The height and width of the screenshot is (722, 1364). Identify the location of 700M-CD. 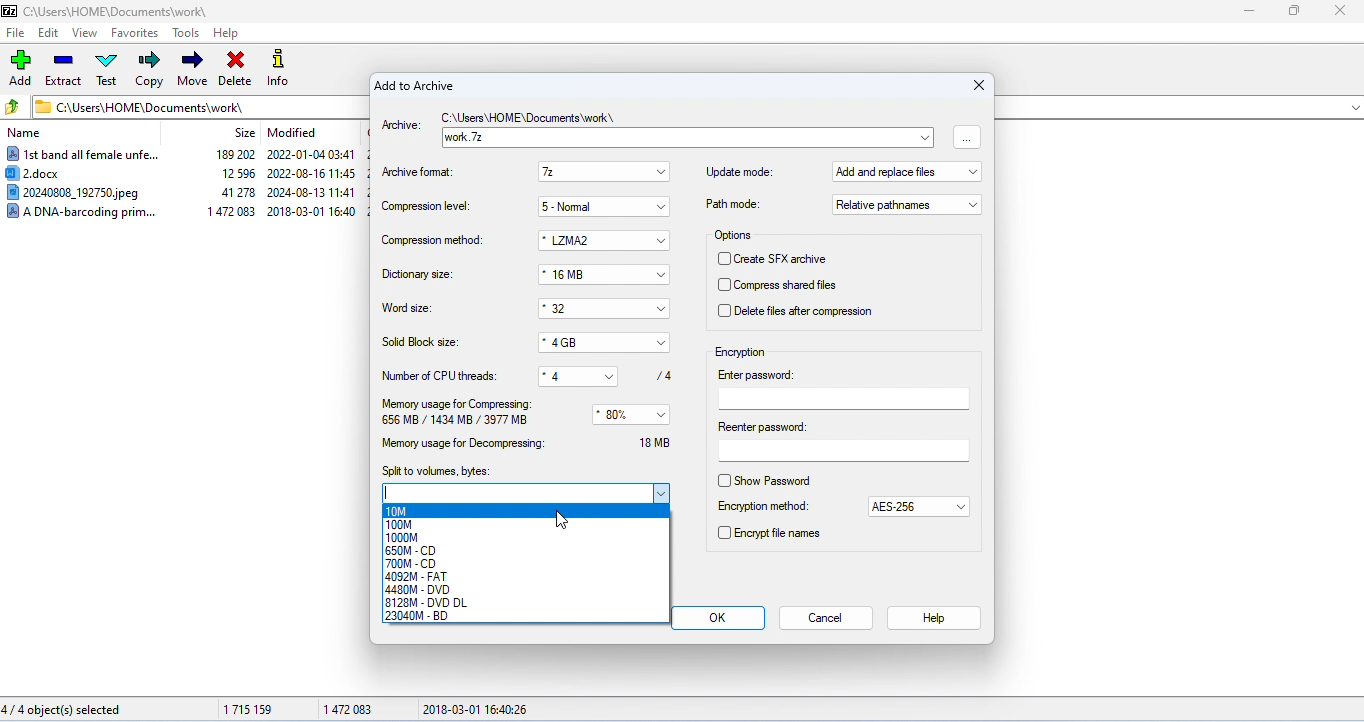
(410, 564).